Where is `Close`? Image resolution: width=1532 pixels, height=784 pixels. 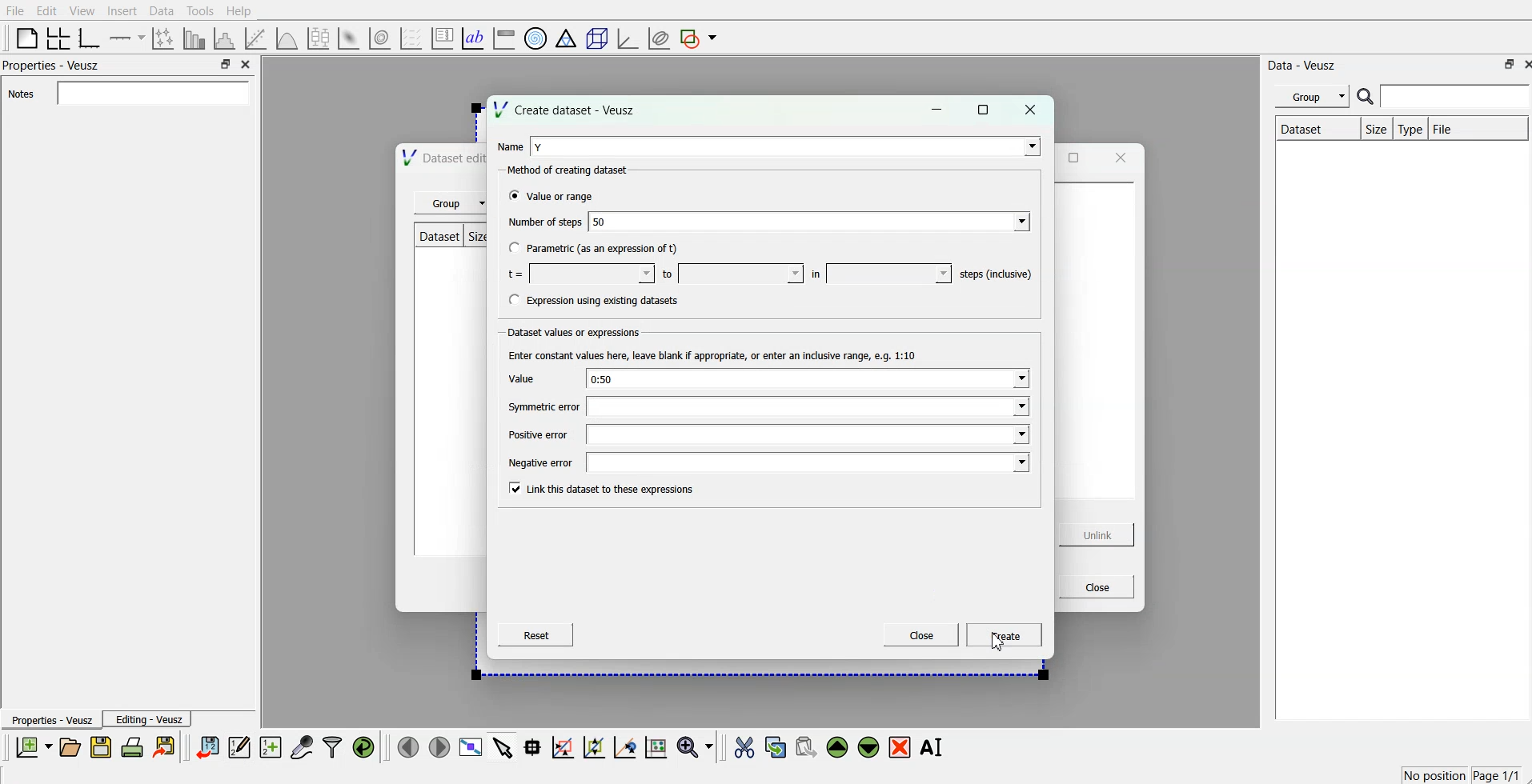
Close is located at coordinates (920, 636).